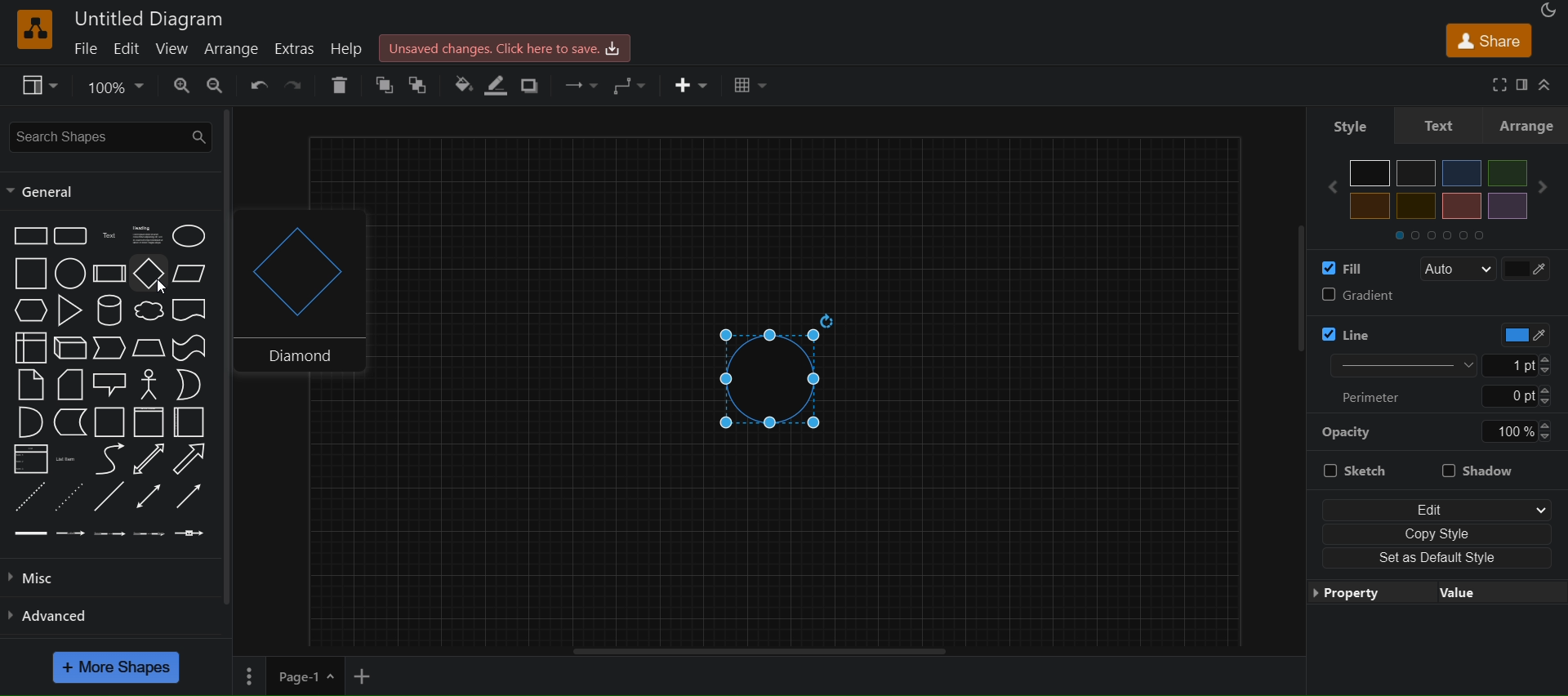 This screenshot has width=1568, height=696. Describe the element at coordinates (148, 424) in the screenshot. I see `vertical container` at that location.